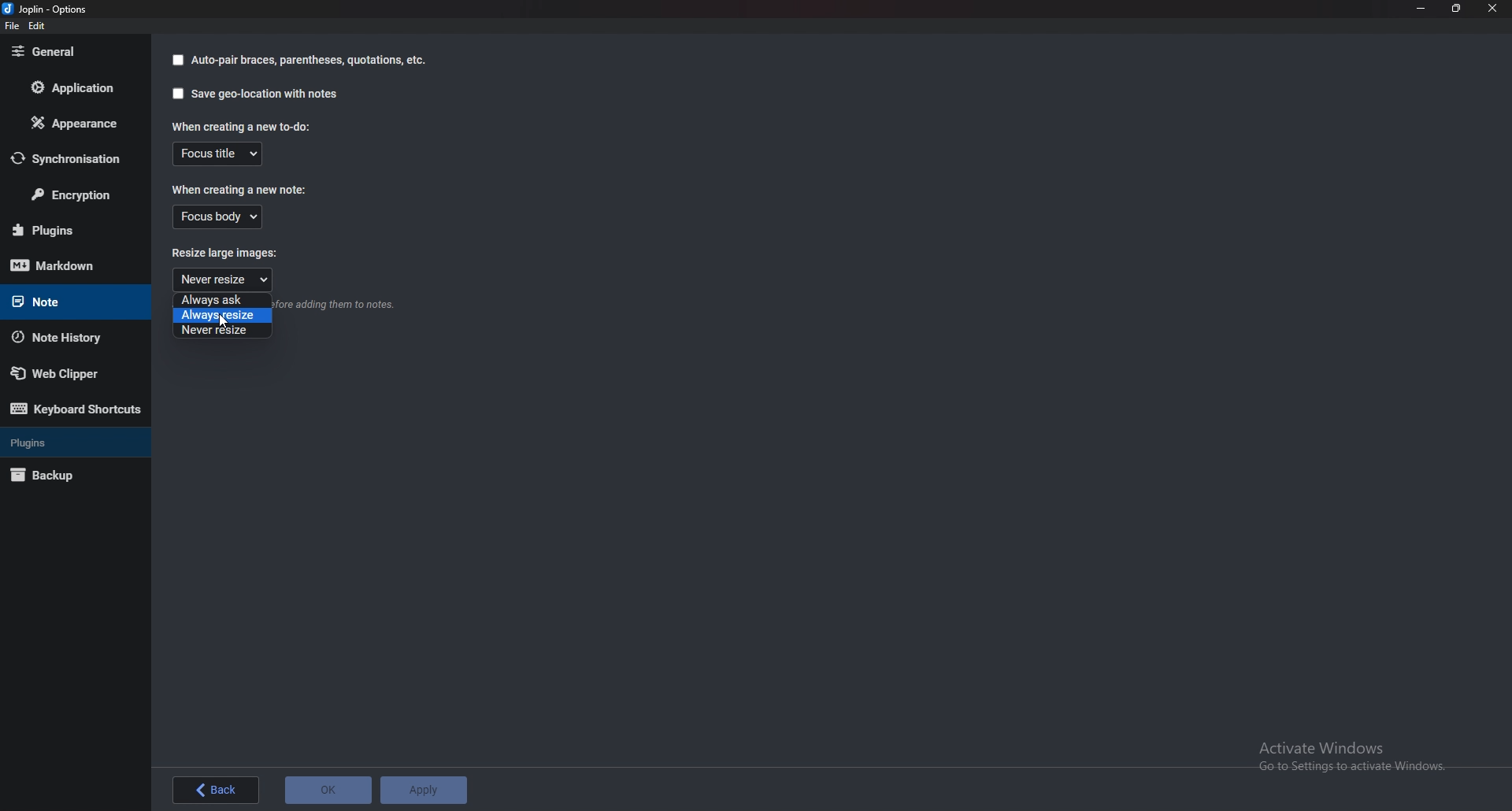 The height and width of the screenshot is (811, 1512). Describe the element at coordinates (13, 25) in the screenshot. I see `File` at that location.